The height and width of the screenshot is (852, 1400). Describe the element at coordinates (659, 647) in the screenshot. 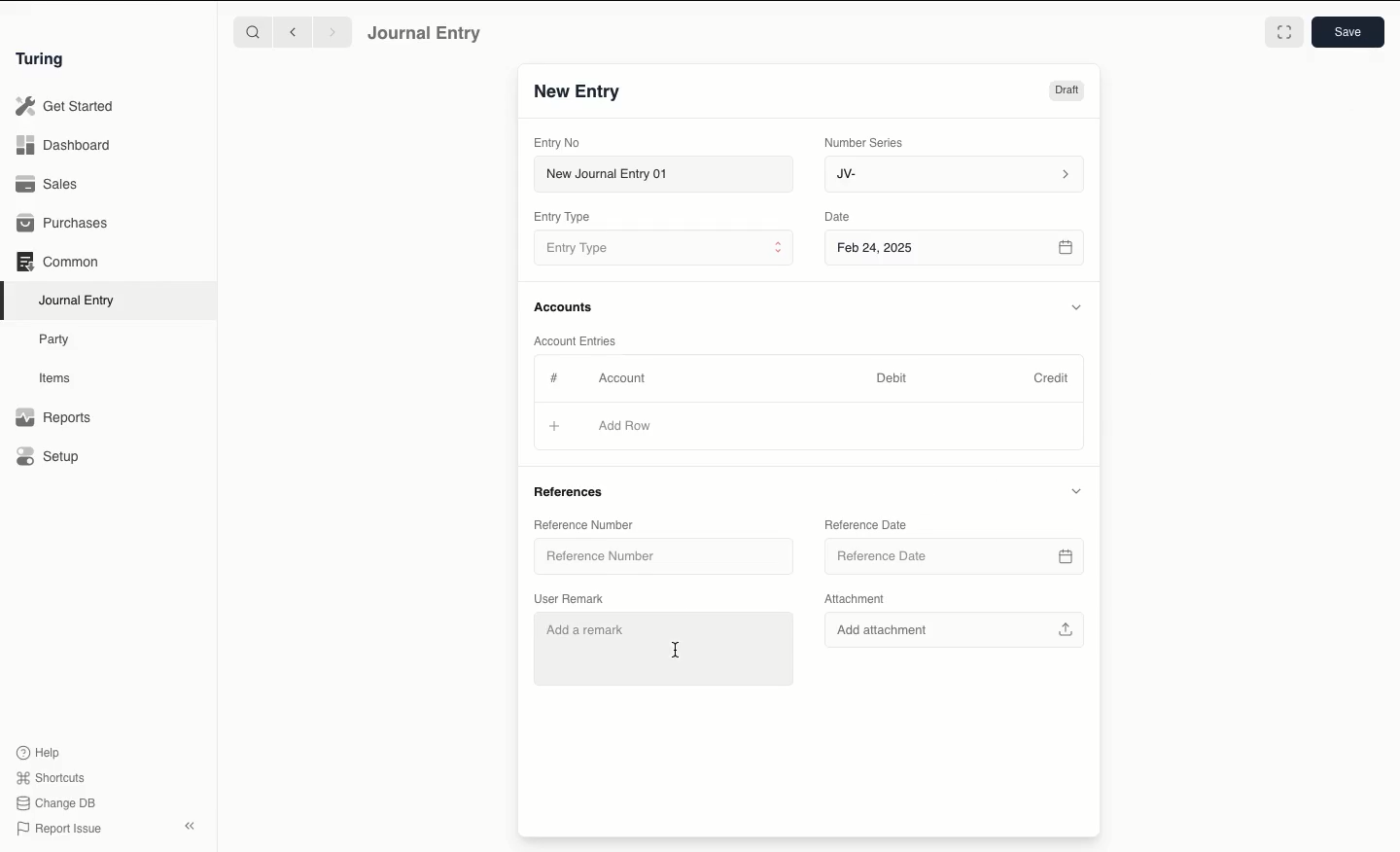

I see `Add a remark` at that location.